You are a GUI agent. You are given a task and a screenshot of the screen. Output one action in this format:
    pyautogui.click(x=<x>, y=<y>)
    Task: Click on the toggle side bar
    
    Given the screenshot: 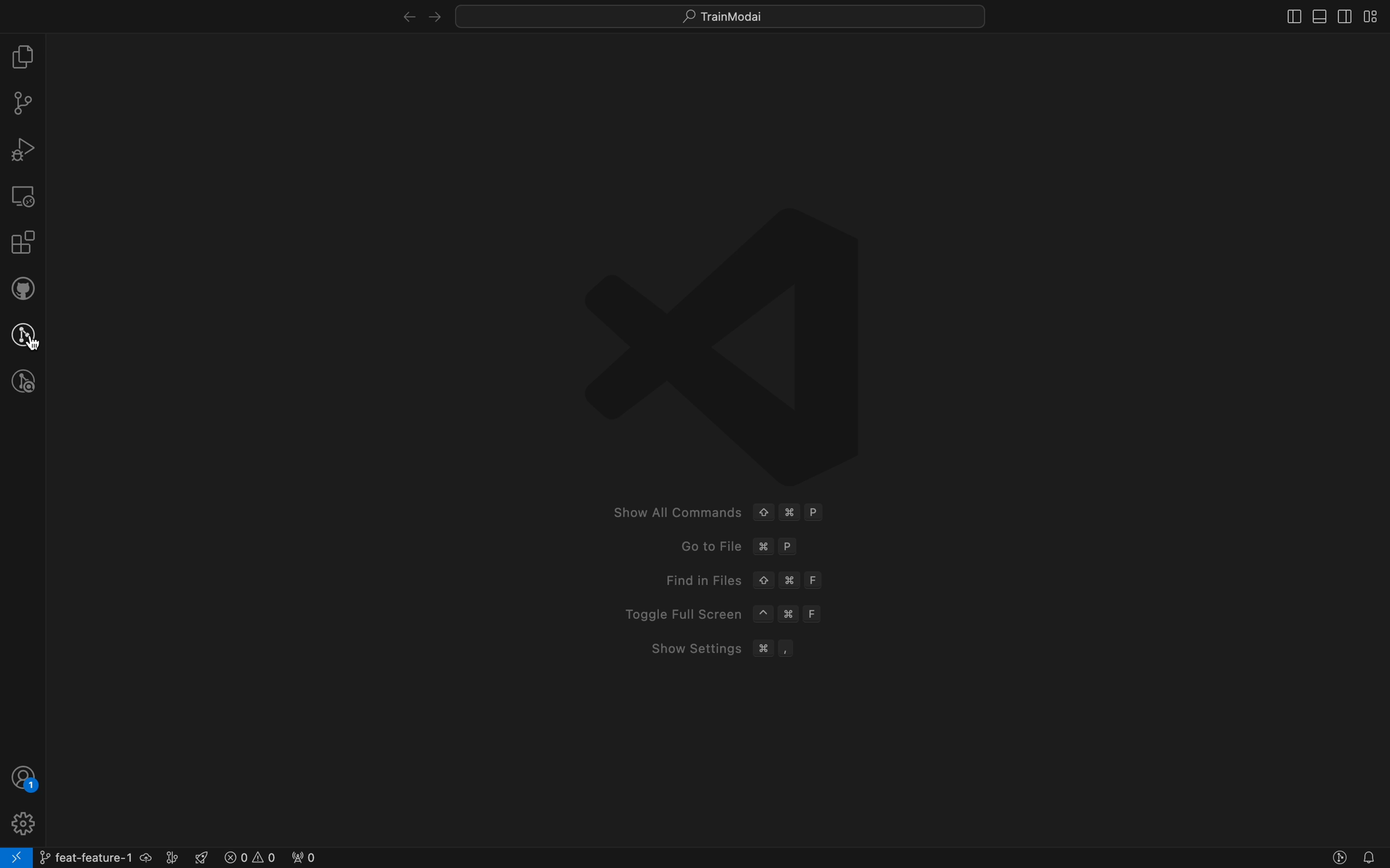 What is the action you would take?
    pyautogui.click(x=1288, y=15)
    